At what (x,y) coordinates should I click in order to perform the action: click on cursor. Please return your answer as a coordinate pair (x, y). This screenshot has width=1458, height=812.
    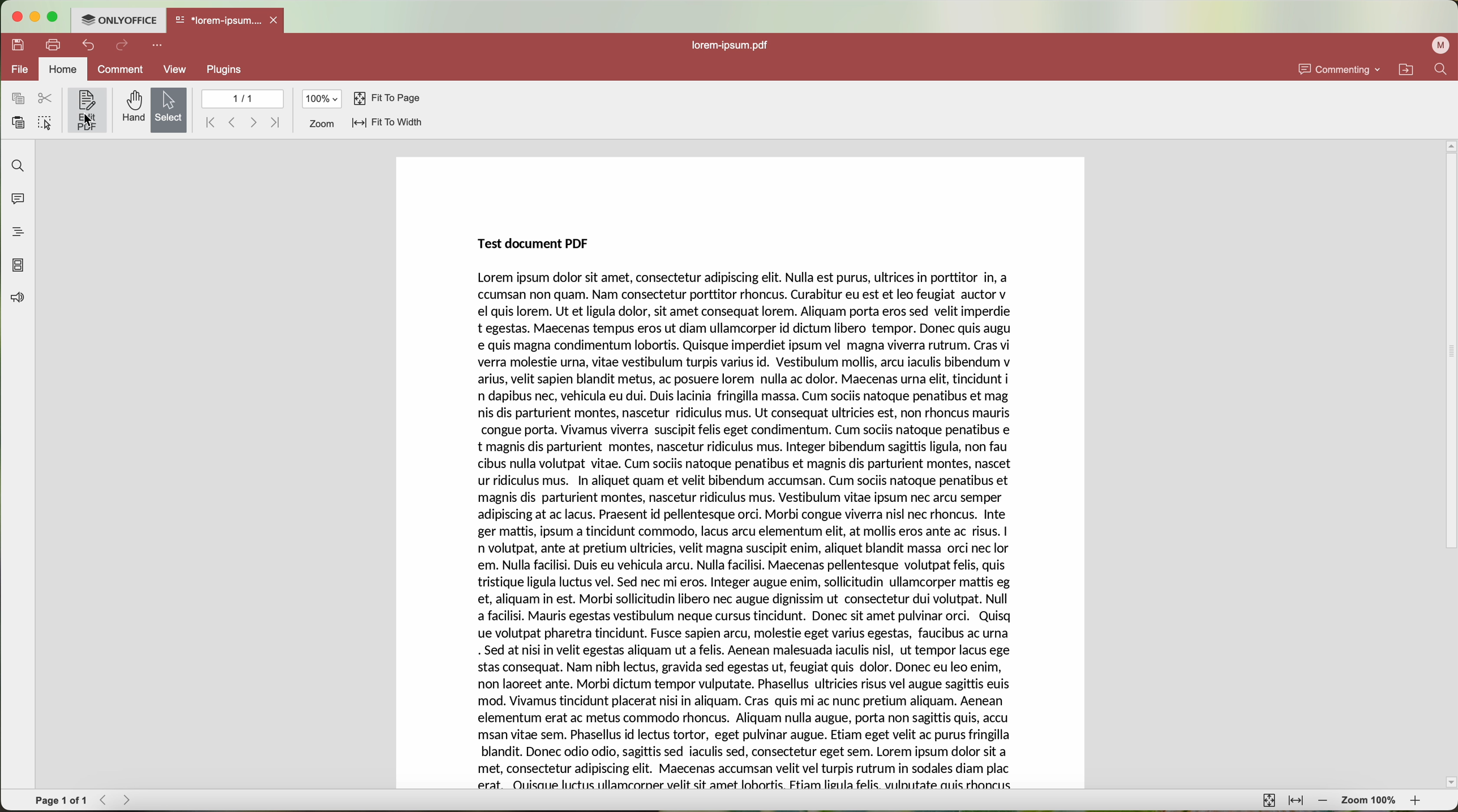
    Looking at the image, I should click on (91, 120).